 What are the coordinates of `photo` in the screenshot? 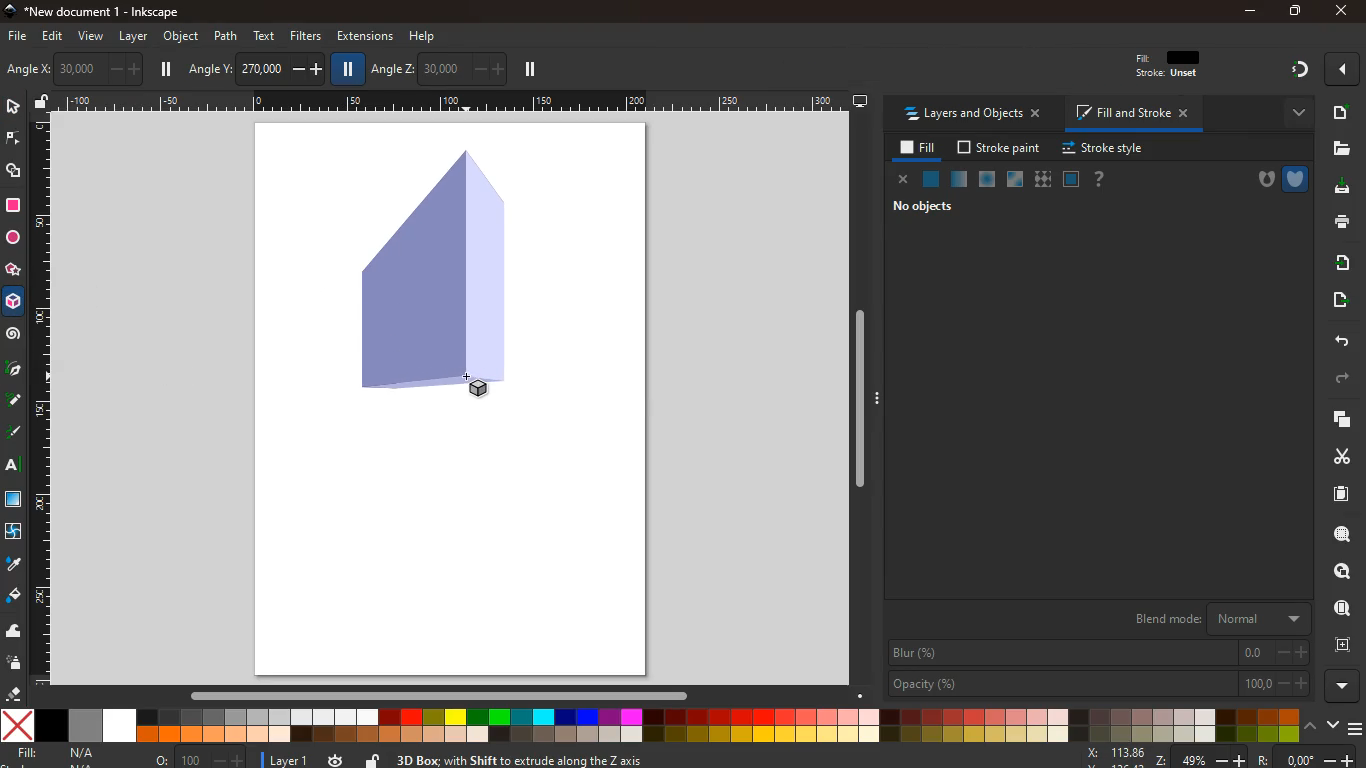 It's located at (21, 70).